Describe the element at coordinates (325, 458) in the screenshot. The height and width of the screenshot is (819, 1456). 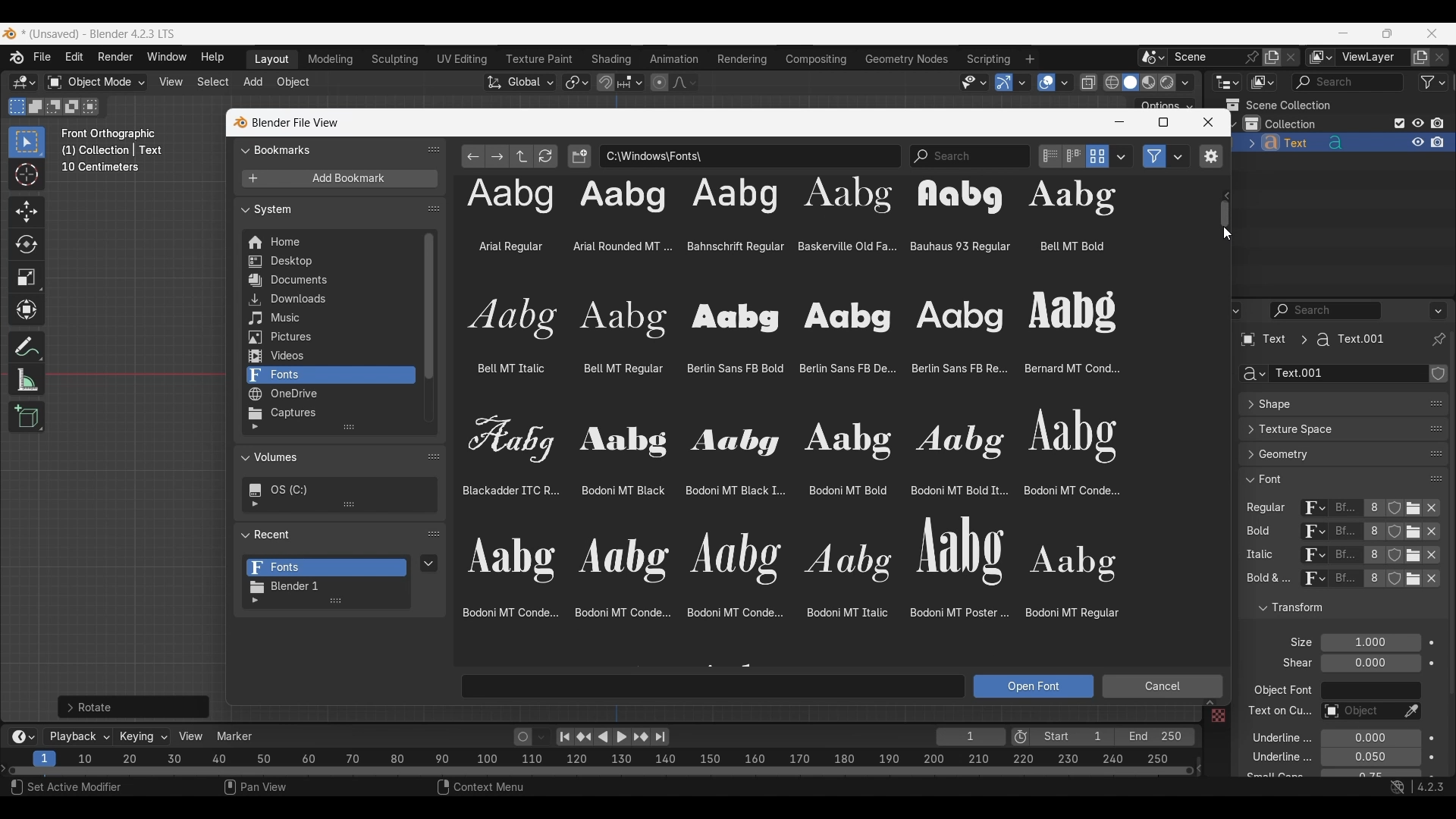
I see `Collapse Volumes` at that location.